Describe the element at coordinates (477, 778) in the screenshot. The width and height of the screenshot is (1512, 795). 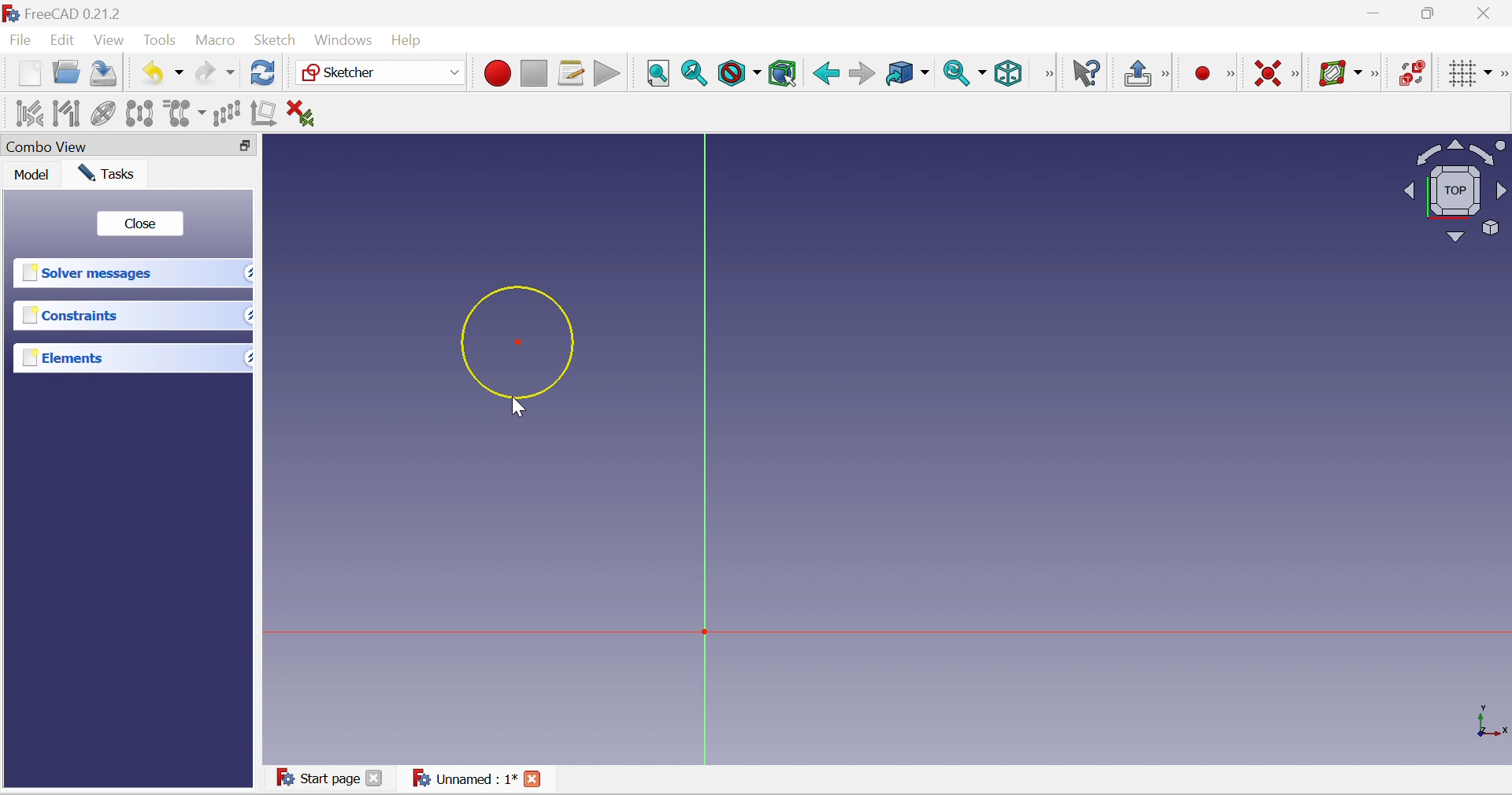
I see `Unnamed : 1*` at that location.